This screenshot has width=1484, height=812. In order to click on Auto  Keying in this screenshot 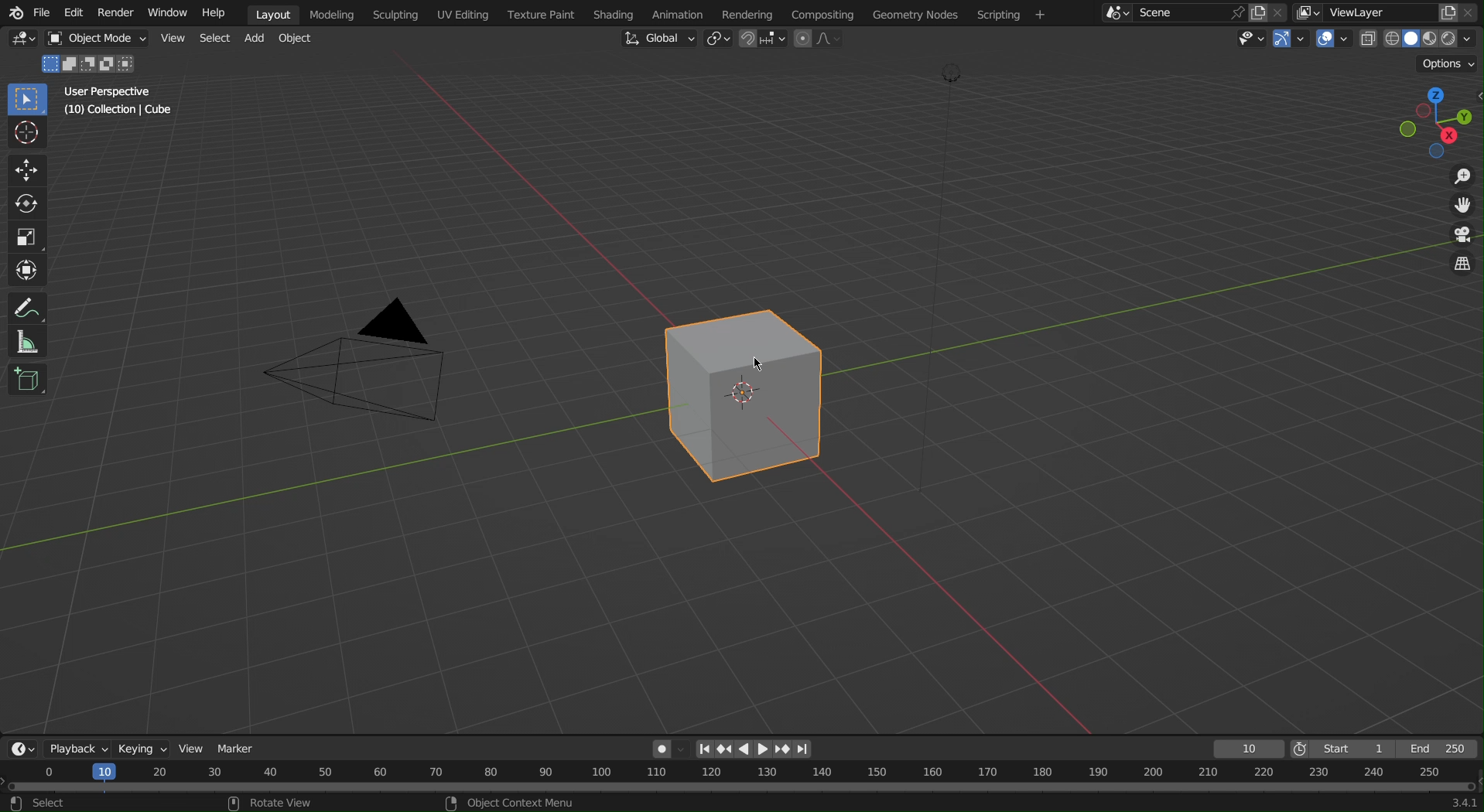, I will do `click(666, 746)`.